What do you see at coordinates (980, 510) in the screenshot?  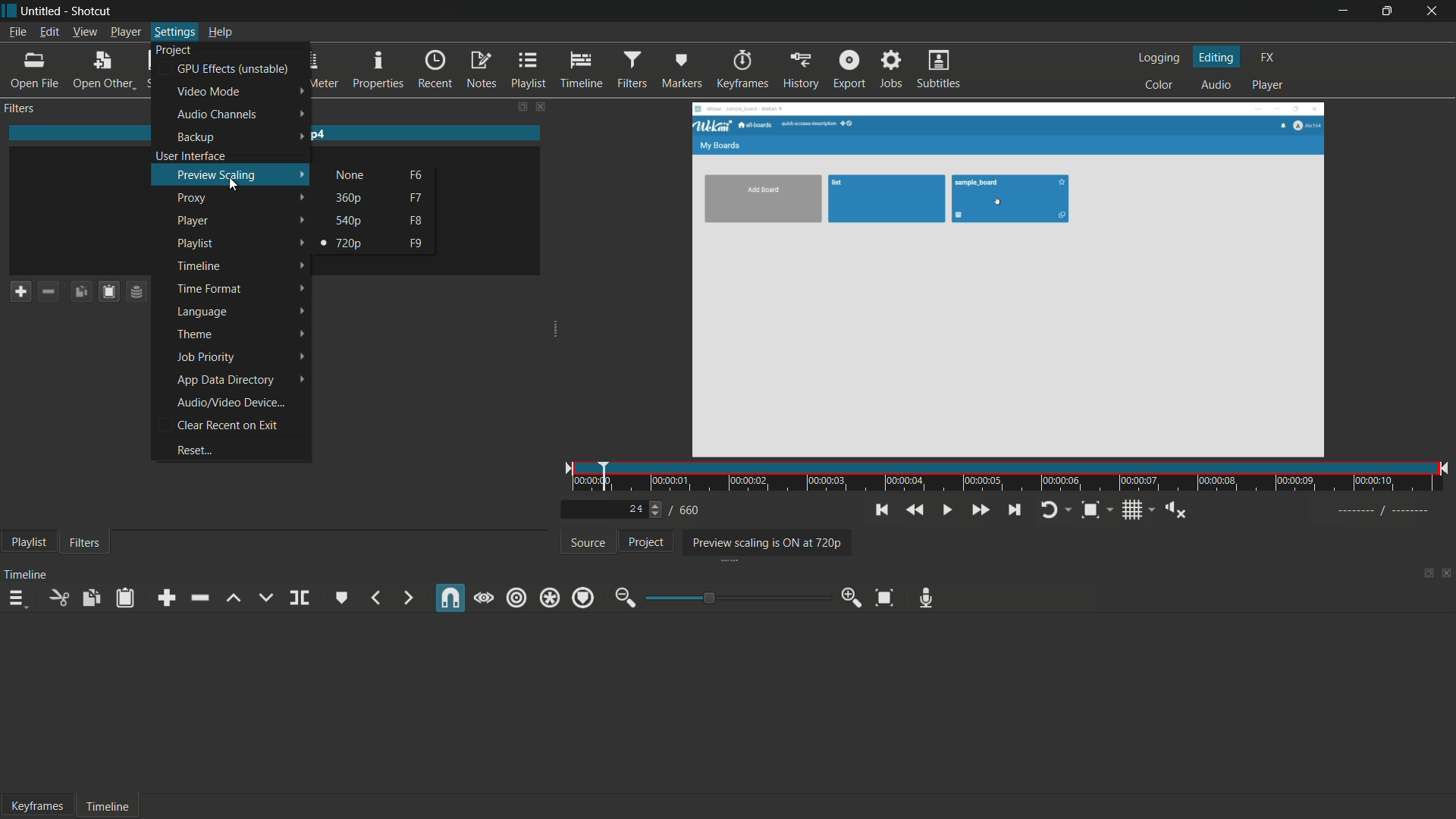 I see `quickly play forward` at bounding box center [980, 510].